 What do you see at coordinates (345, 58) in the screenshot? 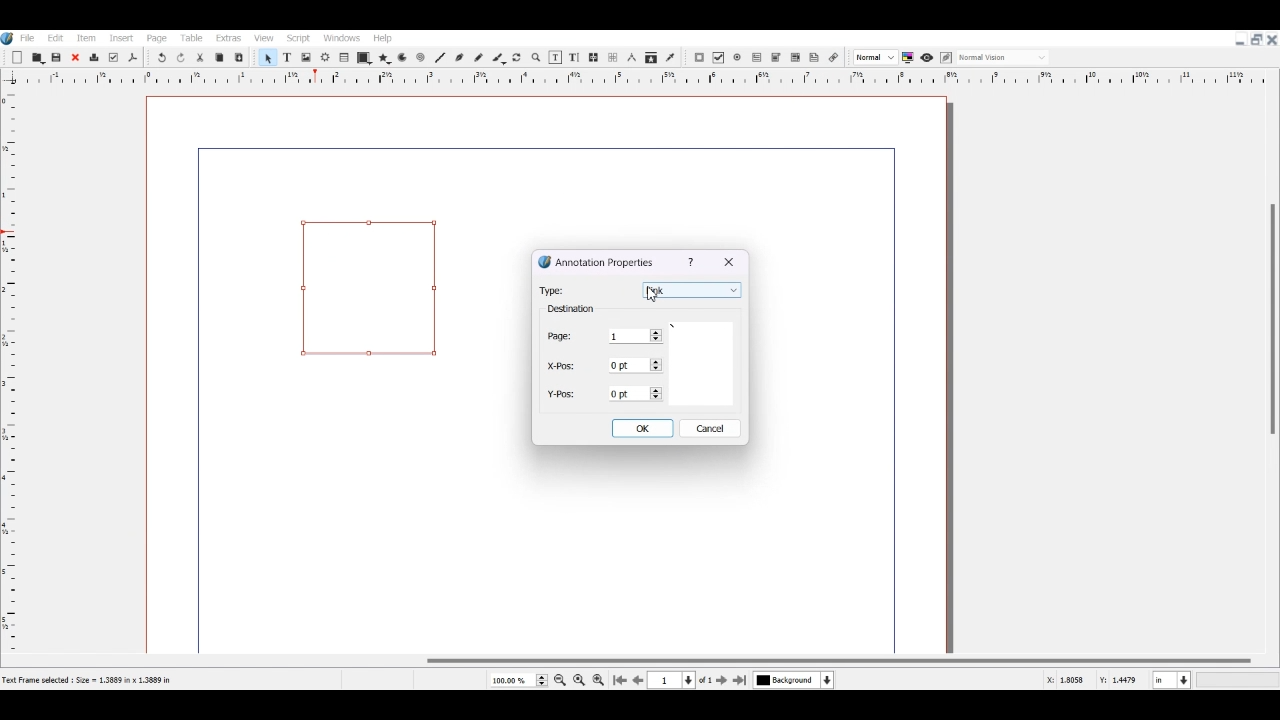
I see `Table` at bounding box center [345, 58].